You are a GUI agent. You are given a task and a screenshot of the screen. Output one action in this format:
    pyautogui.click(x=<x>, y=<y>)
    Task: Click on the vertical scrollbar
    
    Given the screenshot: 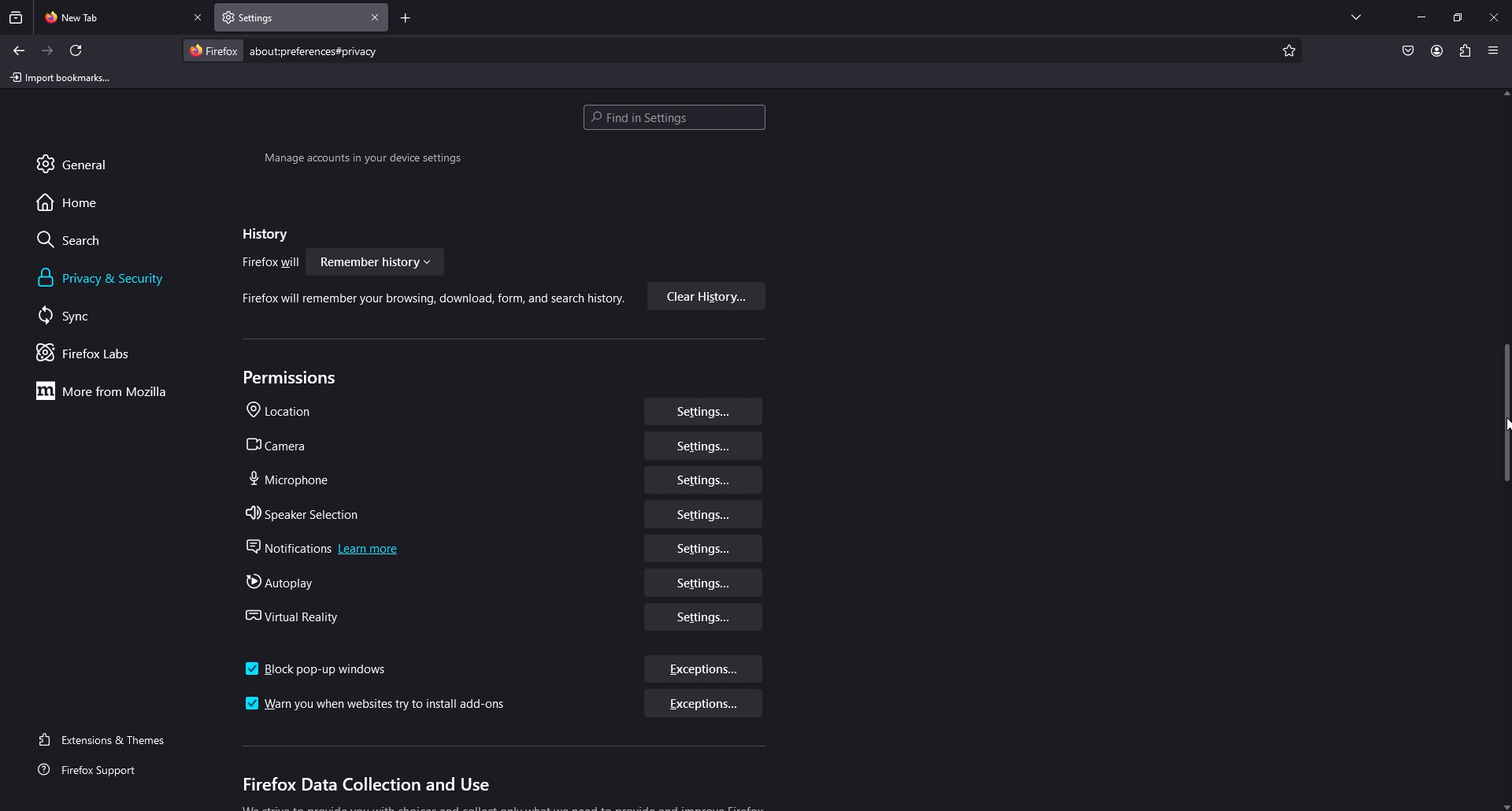 What is the action you would take?
    pyautogui.click(x=1503, y=413)
    